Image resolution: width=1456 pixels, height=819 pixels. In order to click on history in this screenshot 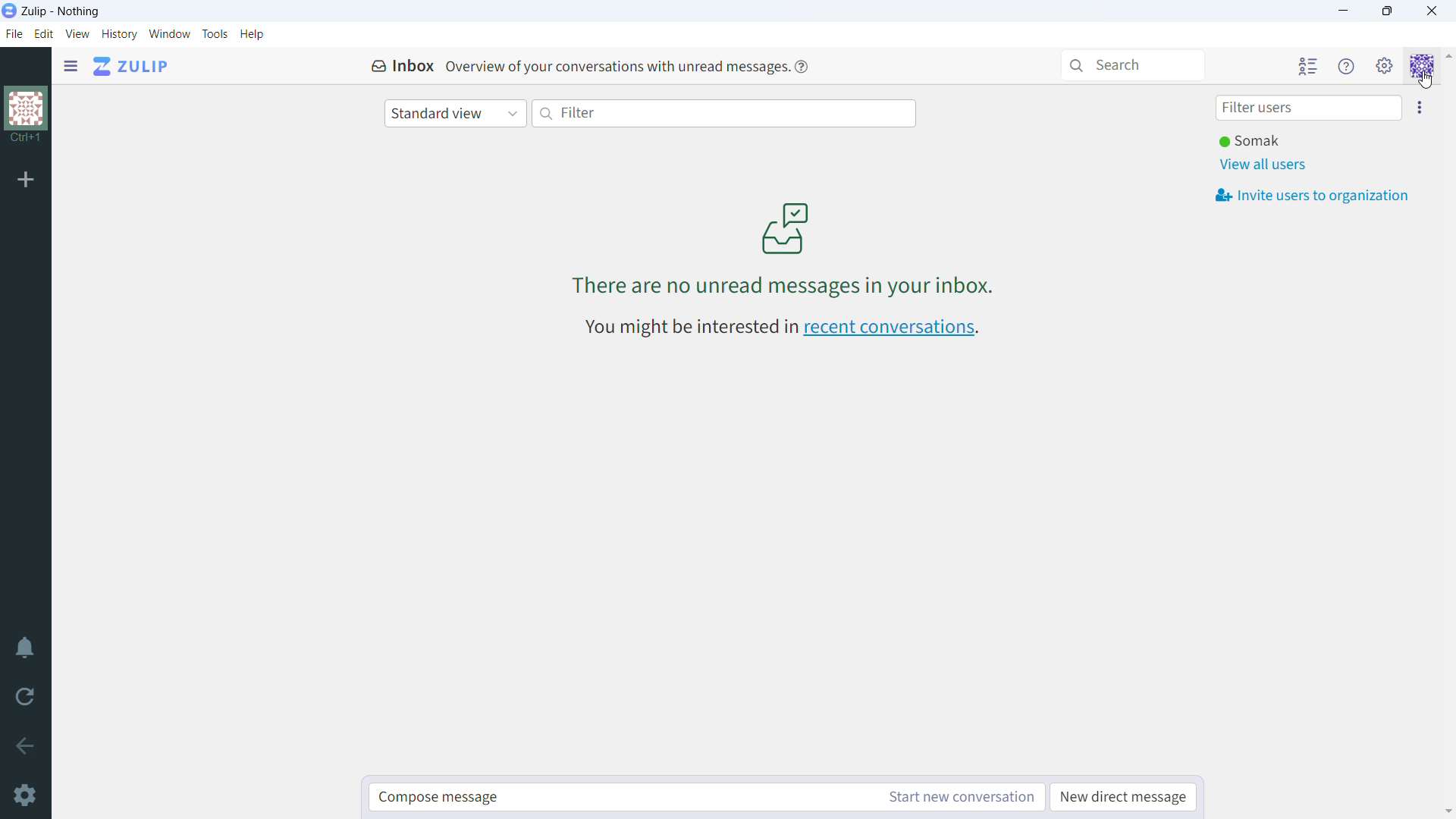, I will do `click(121, 34)`.